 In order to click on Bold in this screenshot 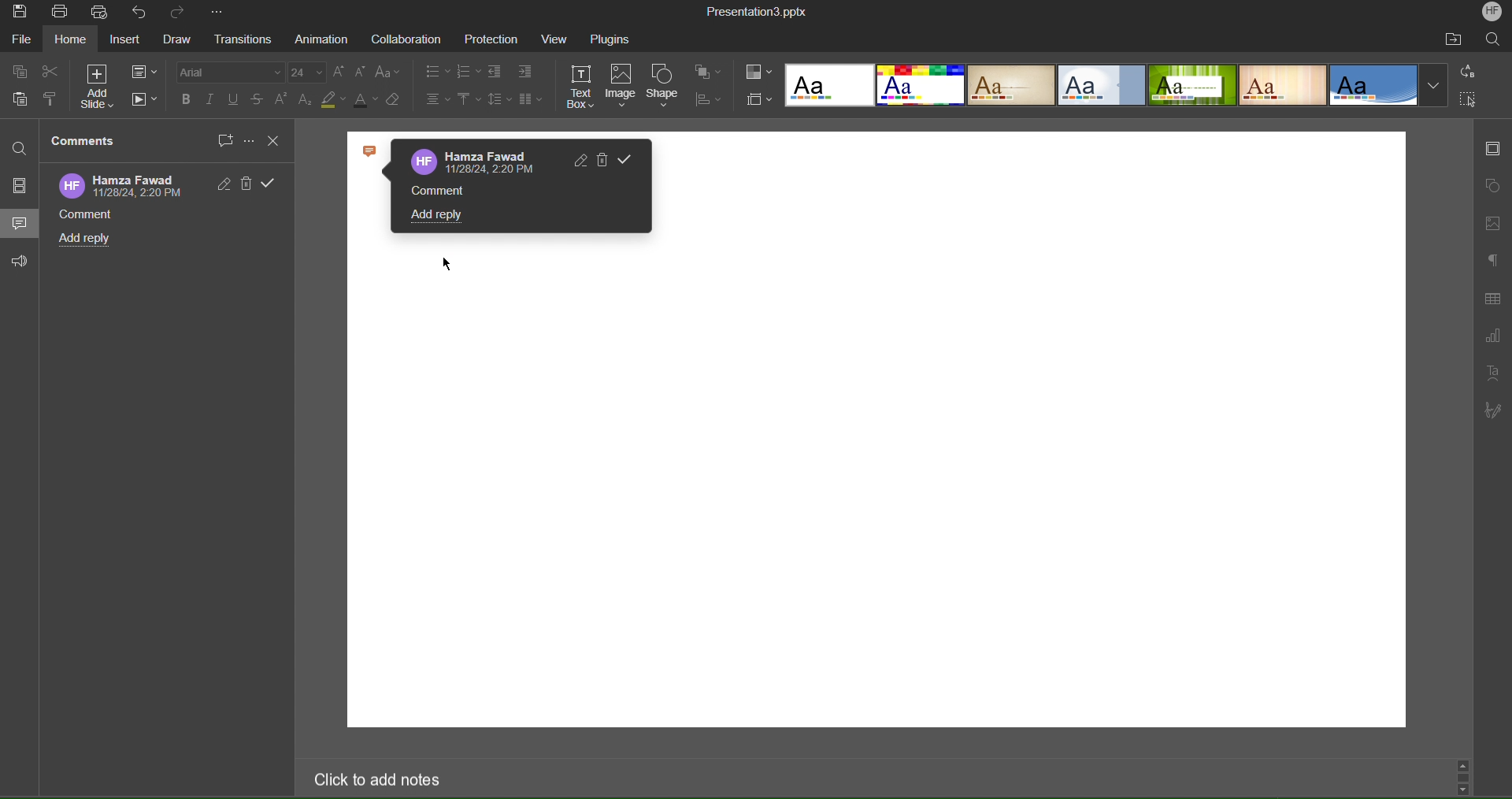, I will do `click(188, 99)`.